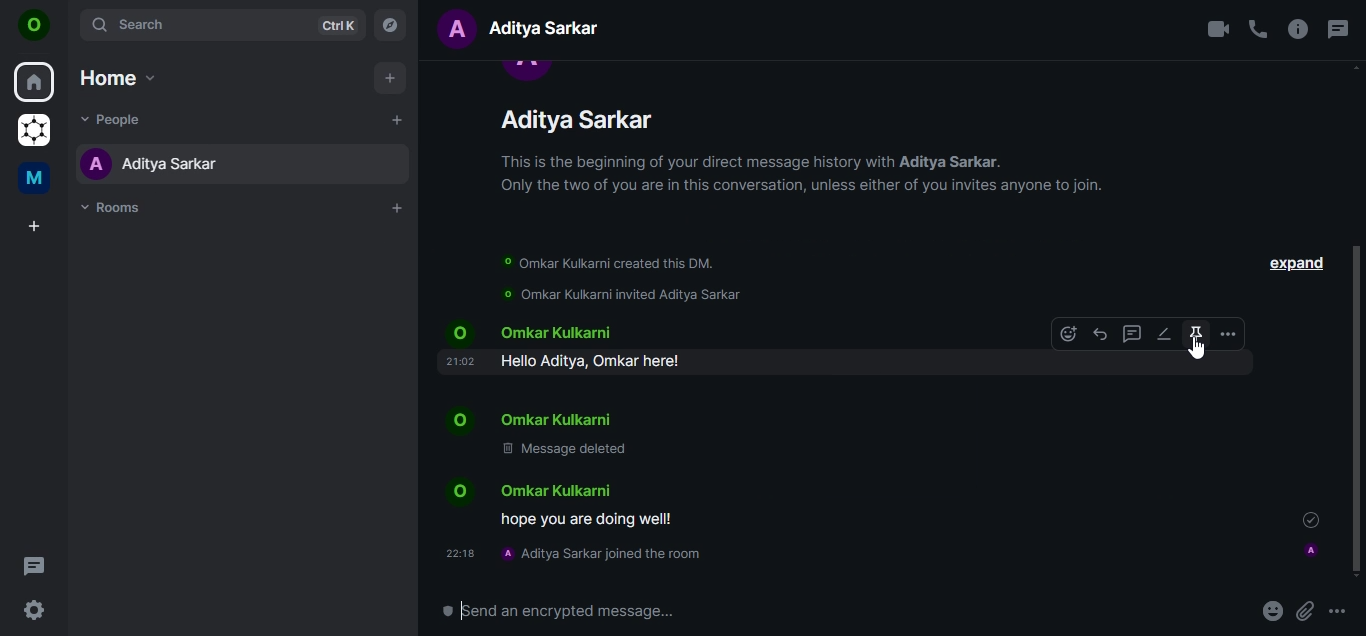  What do you see at coordinates (1270, 610) in the screenshot?
I see `emoji` at bounding box center [1270, 610].